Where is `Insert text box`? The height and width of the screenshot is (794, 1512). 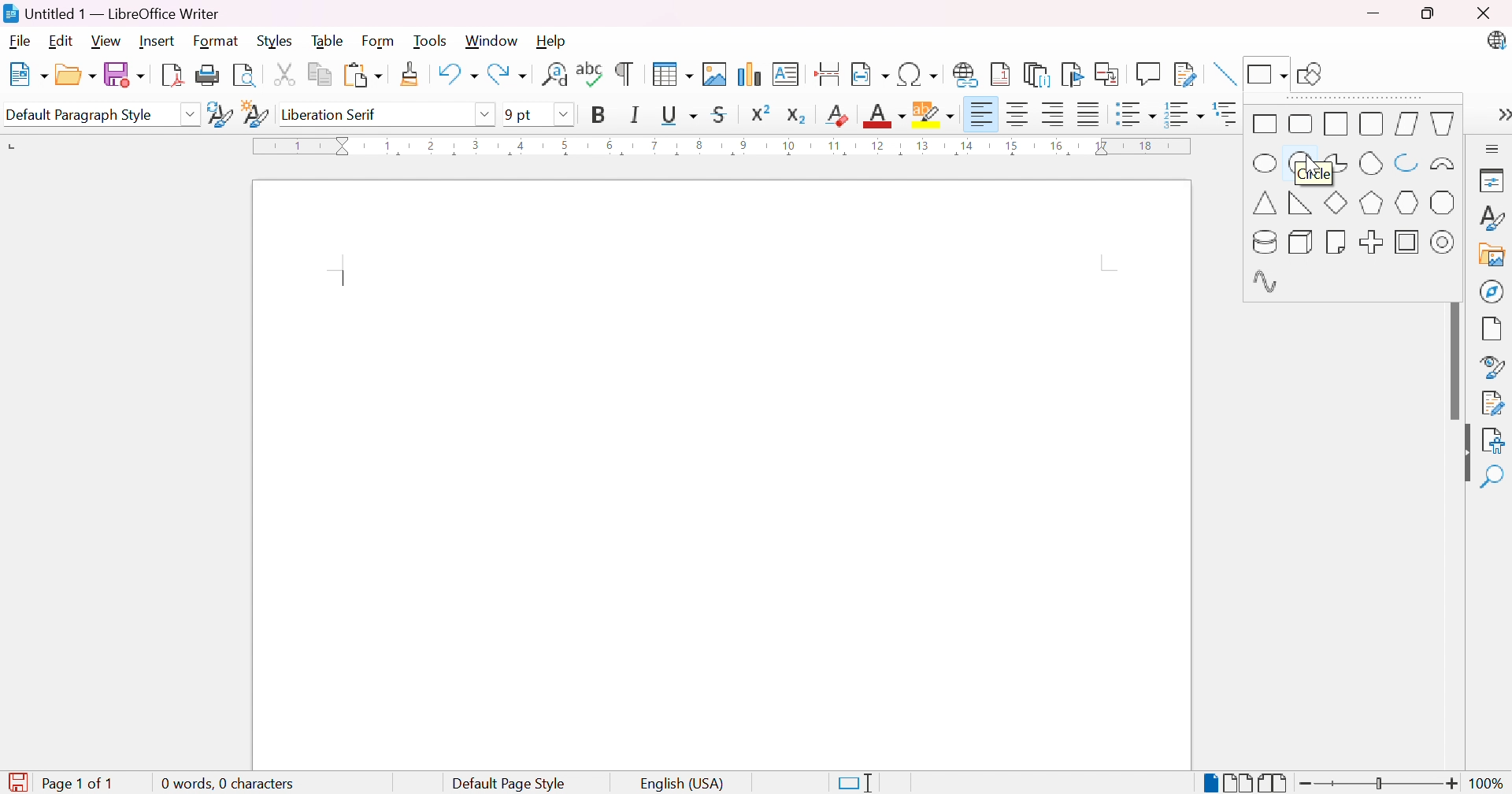 Insert text box is located at coordinates (784, 74).